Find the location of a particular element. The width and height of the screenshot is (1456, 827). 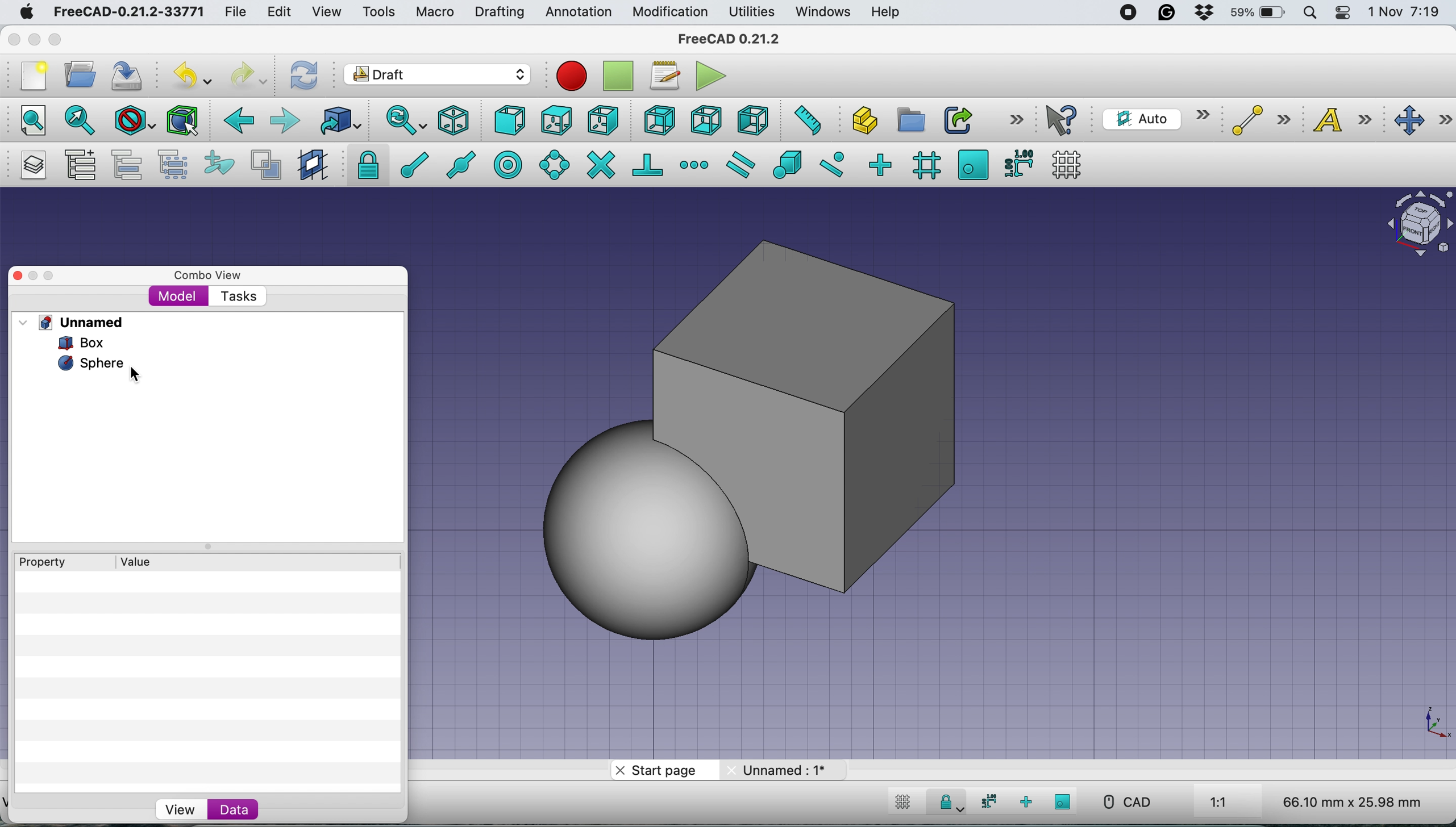

snap perpendicular is located at coordinates (649, 164).